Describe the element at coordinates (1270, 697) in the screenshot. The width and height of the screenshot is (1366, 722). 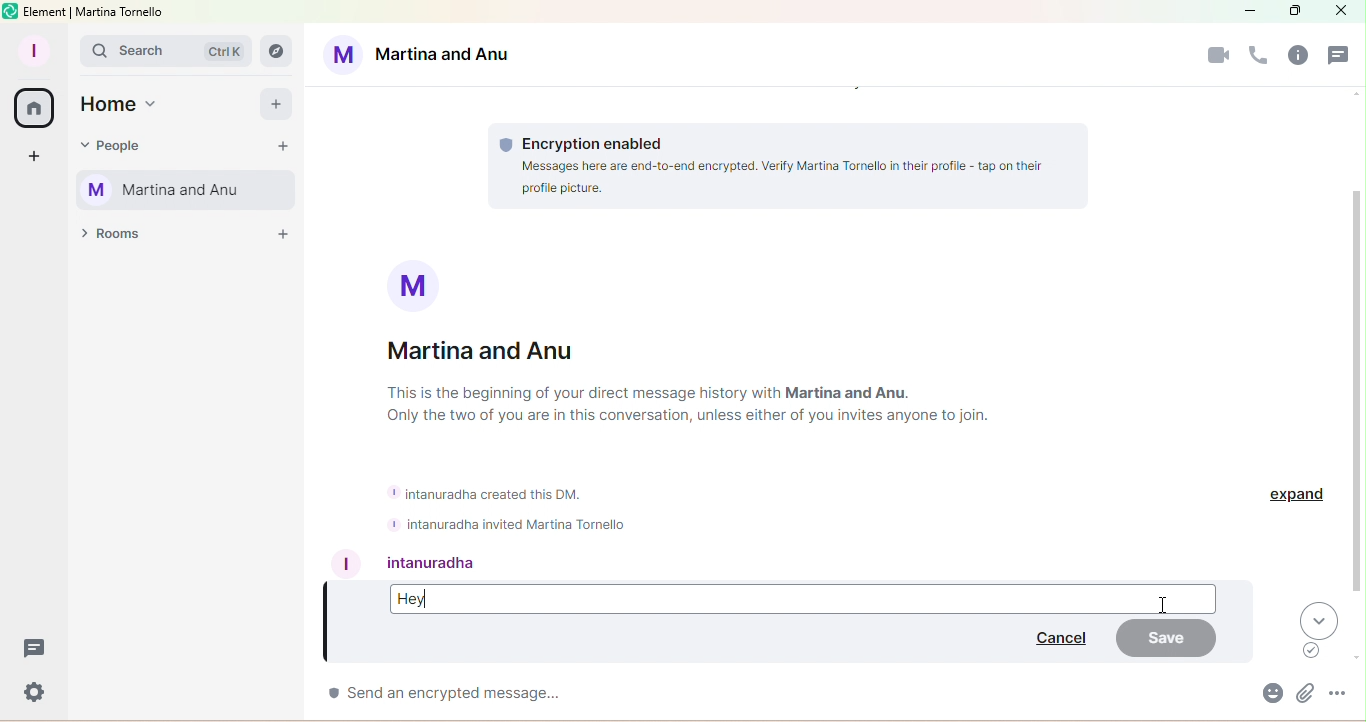
I see `Emoji` at that location.